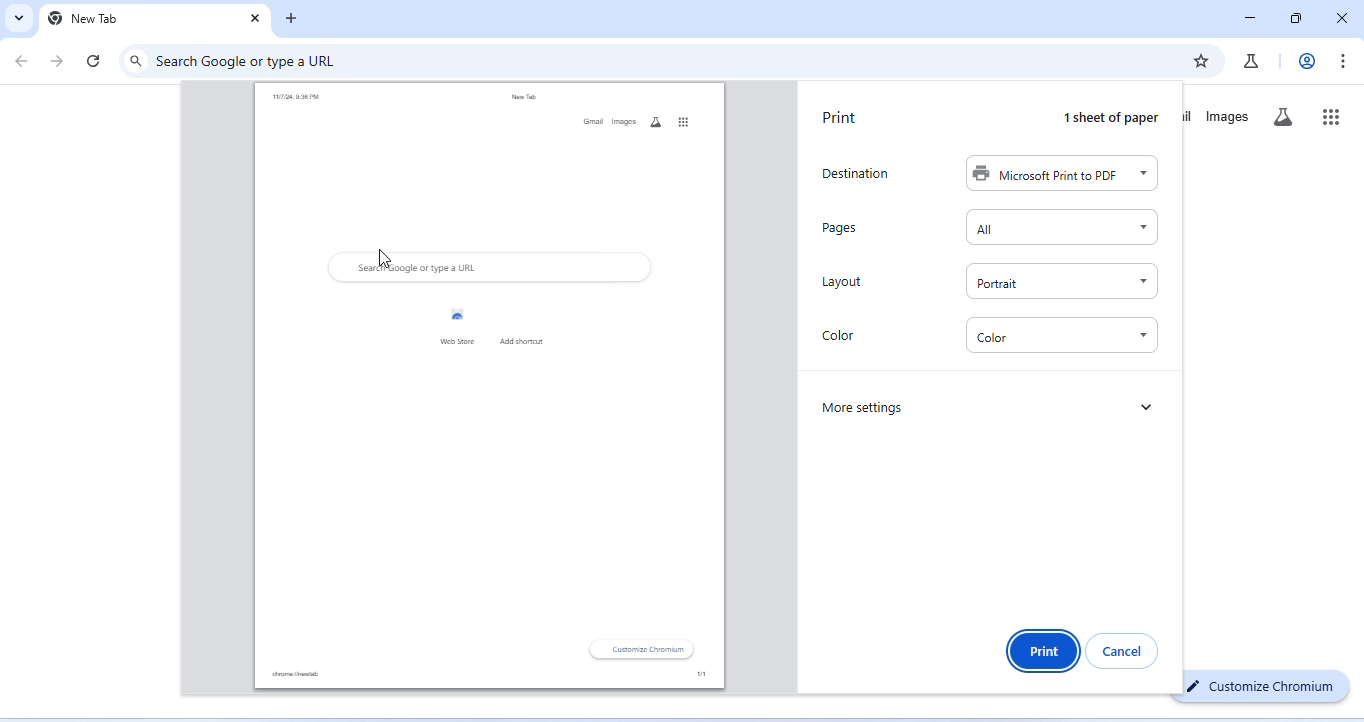 The image size is (1364, 722). What do you see at coordinates (294, 99) in the screenshot?
I see `11/7/24, 9:38pm` at bounding box center [294, 99].